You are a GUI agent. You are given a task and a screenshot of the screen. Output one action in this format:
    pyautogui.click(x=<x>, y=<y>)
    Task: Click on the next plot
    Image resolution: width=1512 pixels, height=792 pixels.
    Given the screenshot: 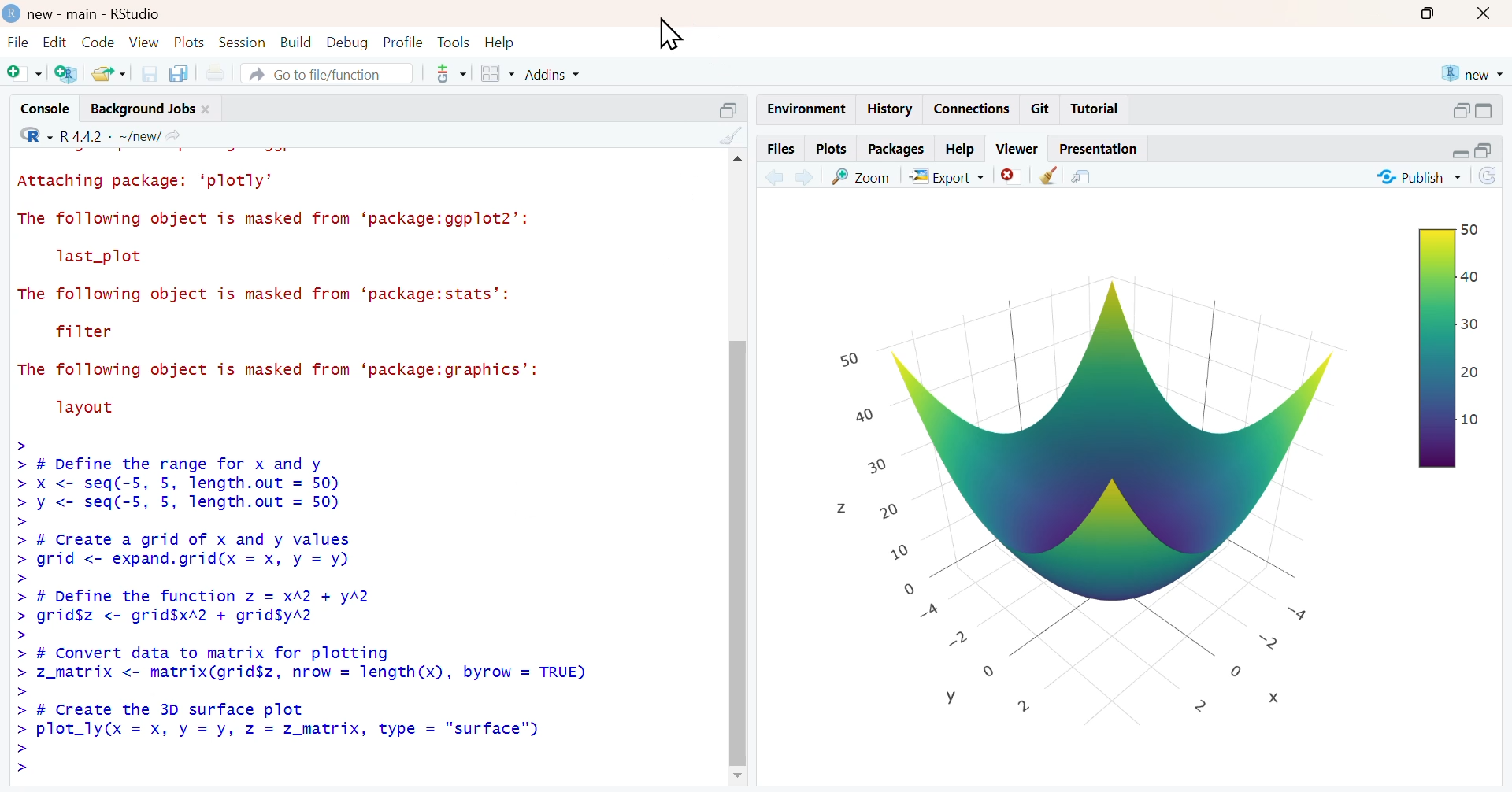 What is the action you would take?
    pyautogui.click(x=803, y=175)
    